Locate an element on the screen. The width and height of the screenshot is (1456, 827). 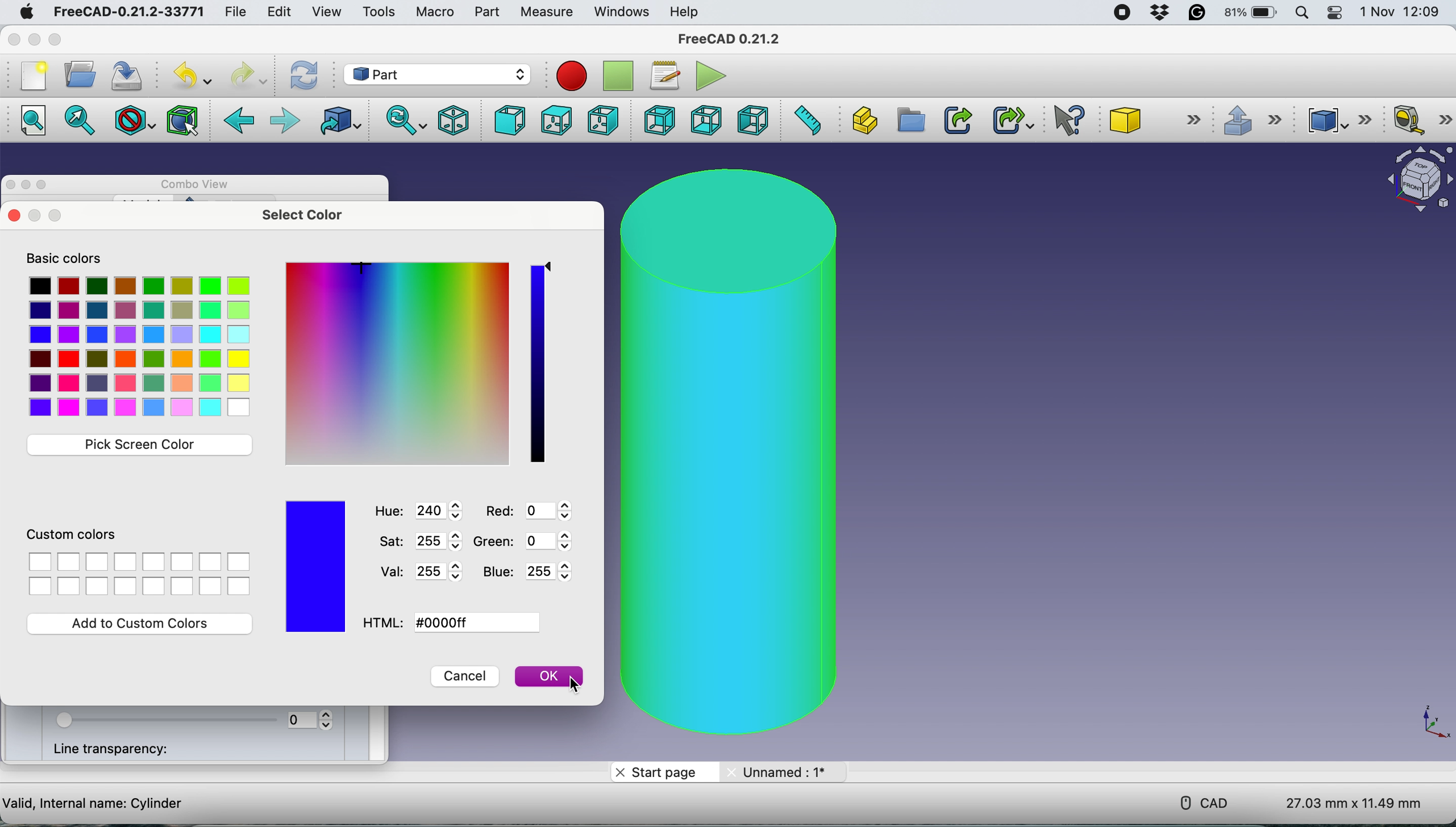
measure linear is located at coordinates (1420, 121).